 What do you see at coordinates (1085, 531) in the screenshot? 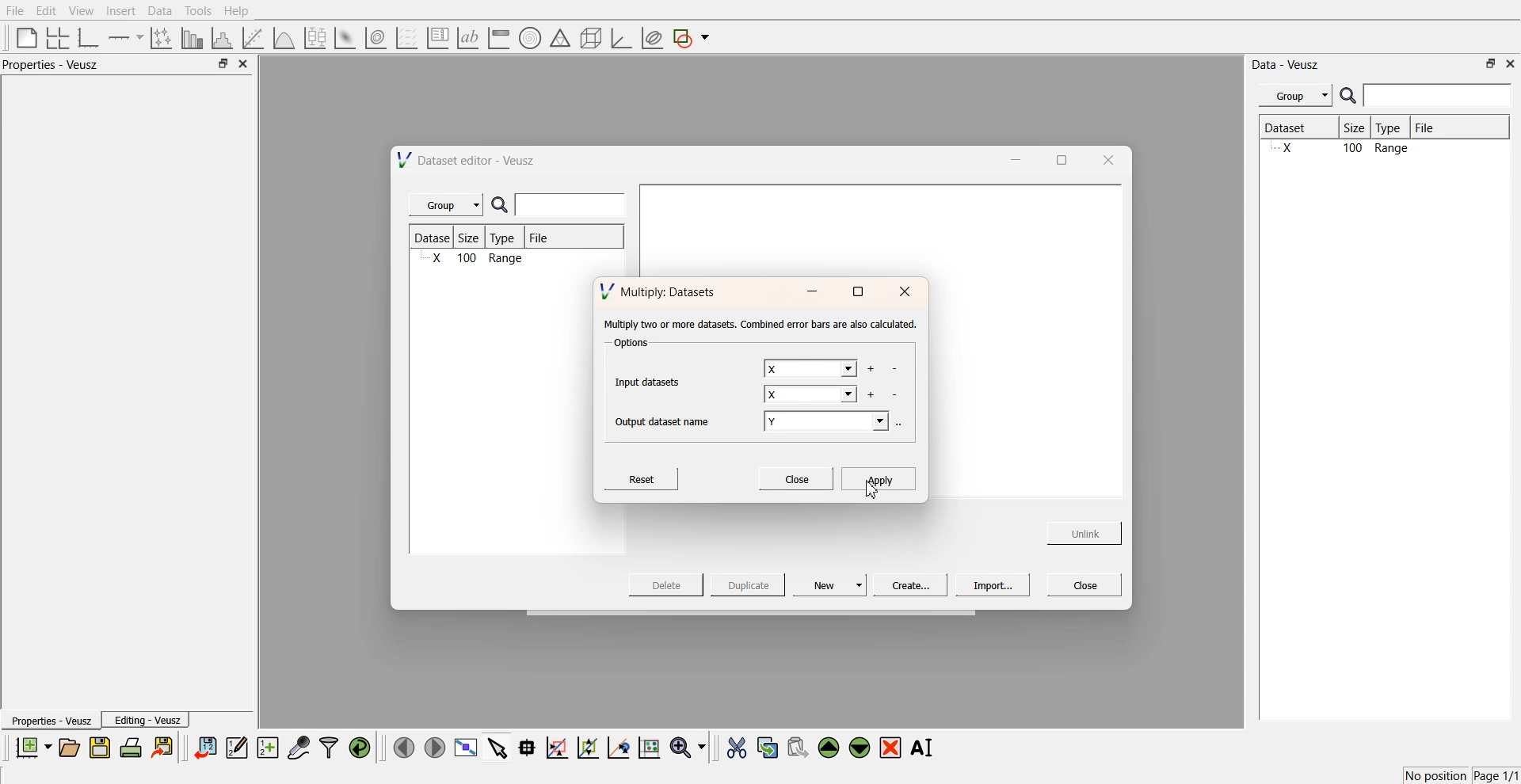
I see `Unlink` at bounding box center [1085, 531].